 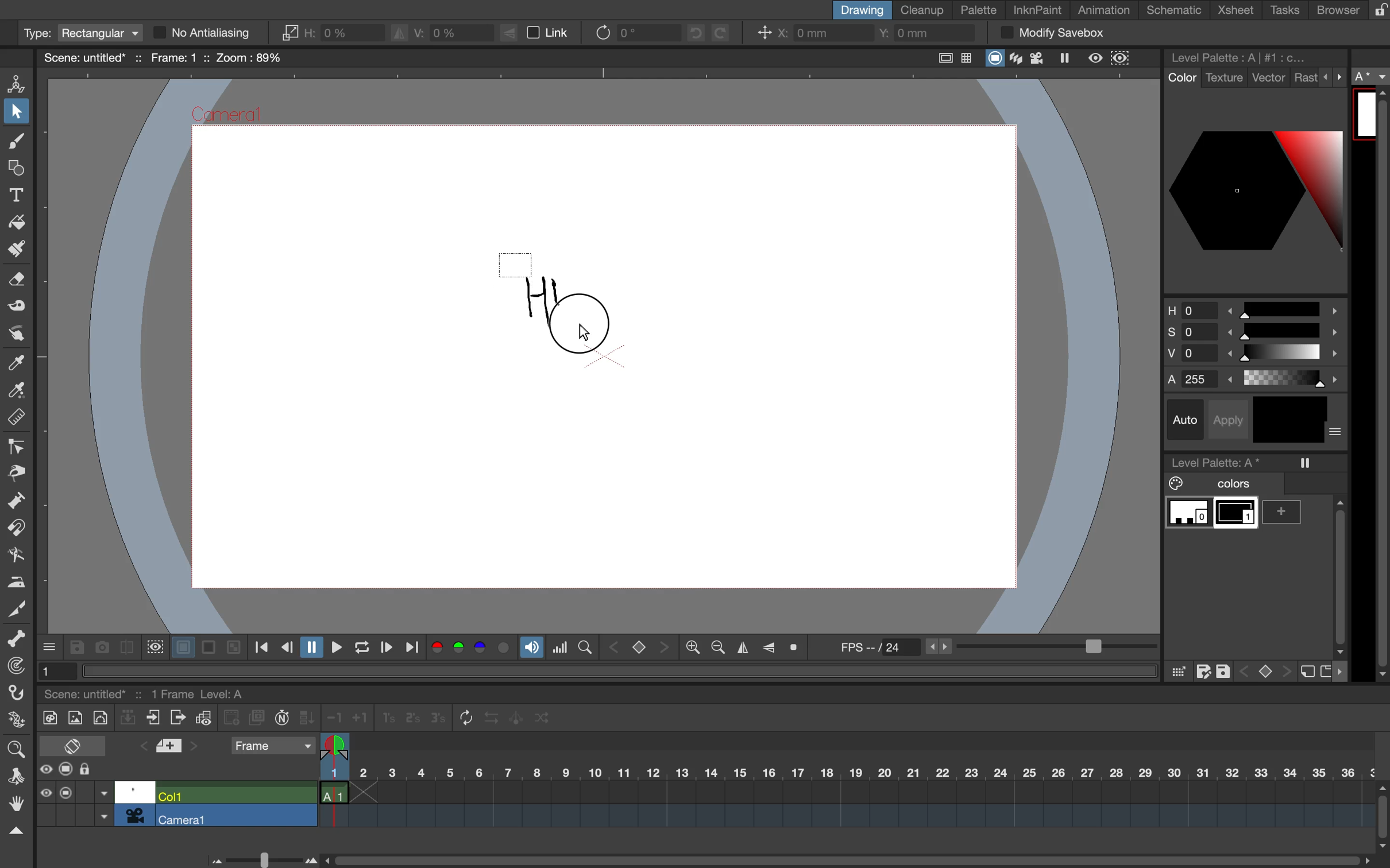 I want to click on more options, so click(x=1334, y=76).